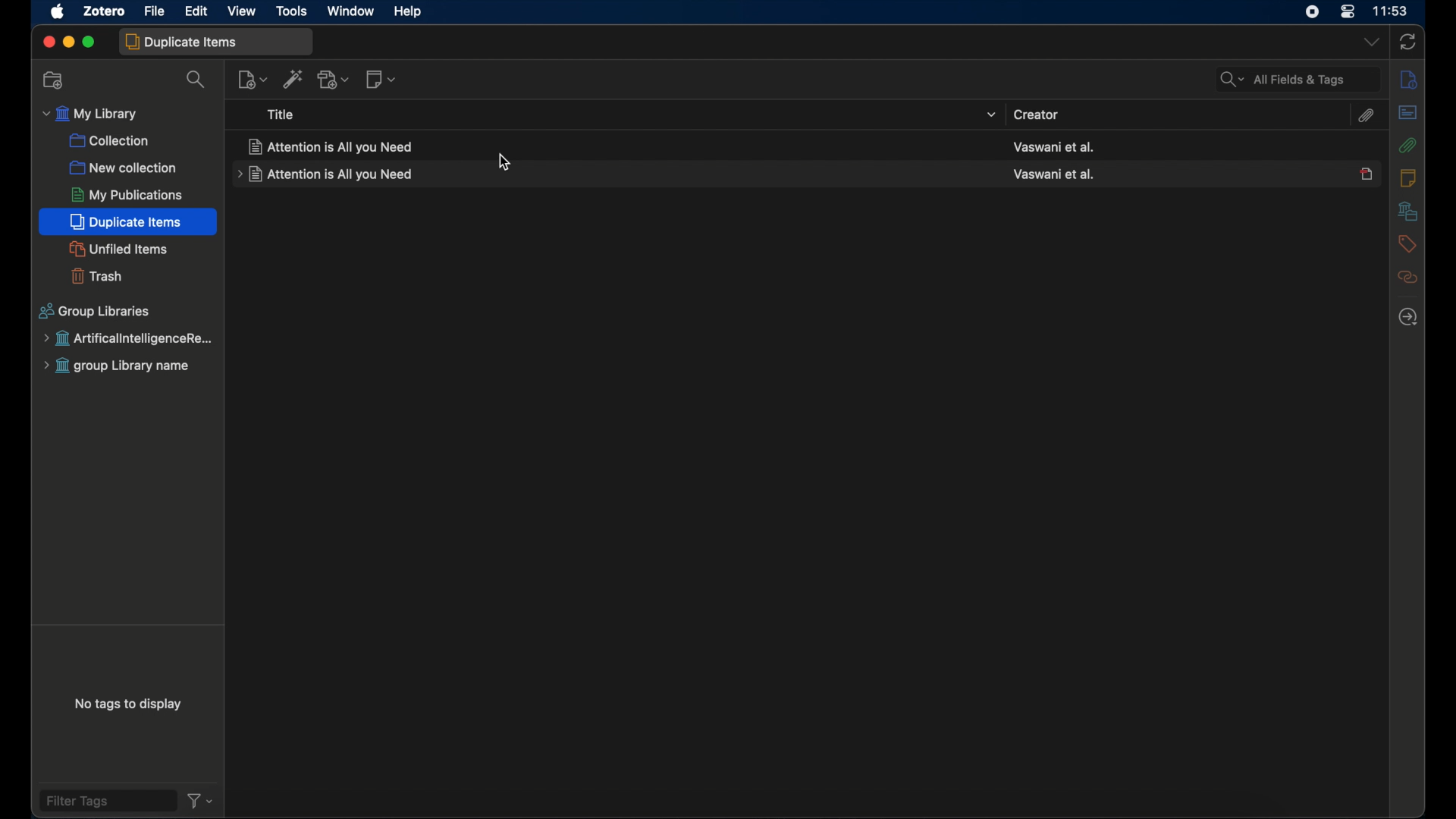  I want to click on group libraries, so click(96, 311).